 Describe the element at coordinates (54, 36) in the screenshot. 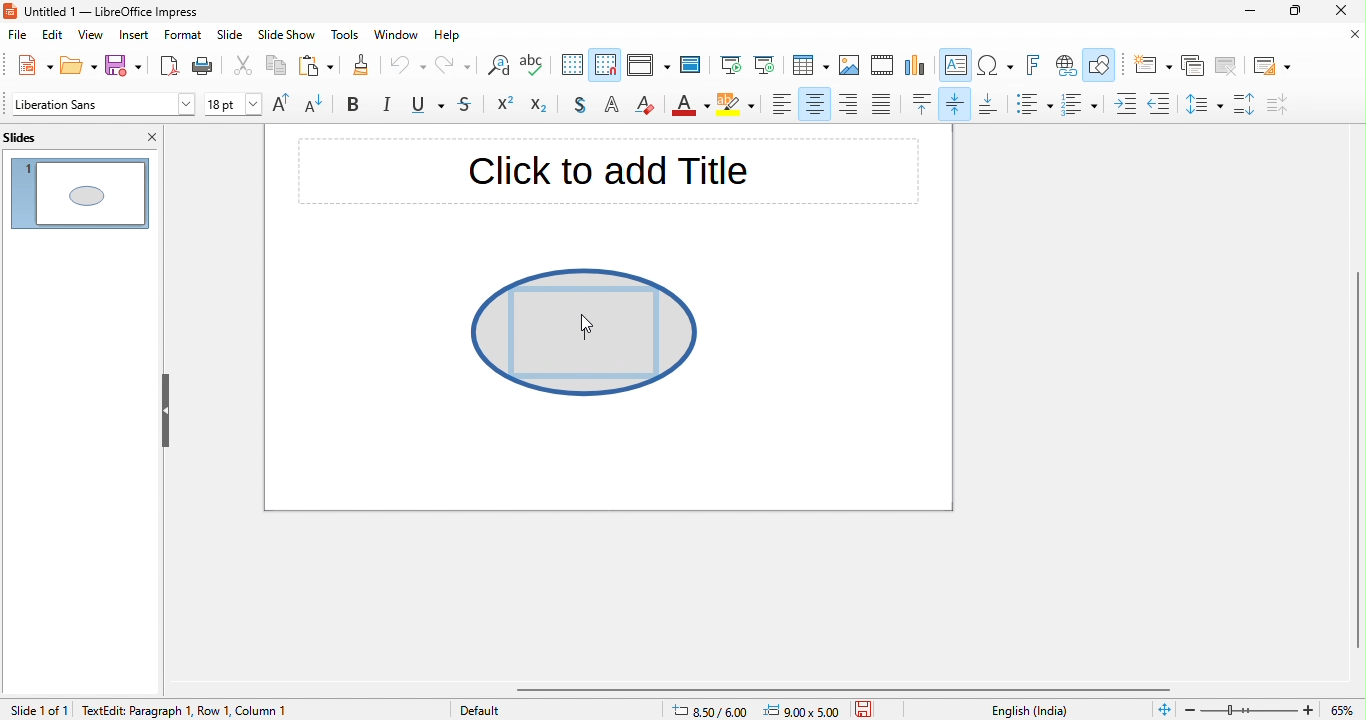

I see `edit` at that location.